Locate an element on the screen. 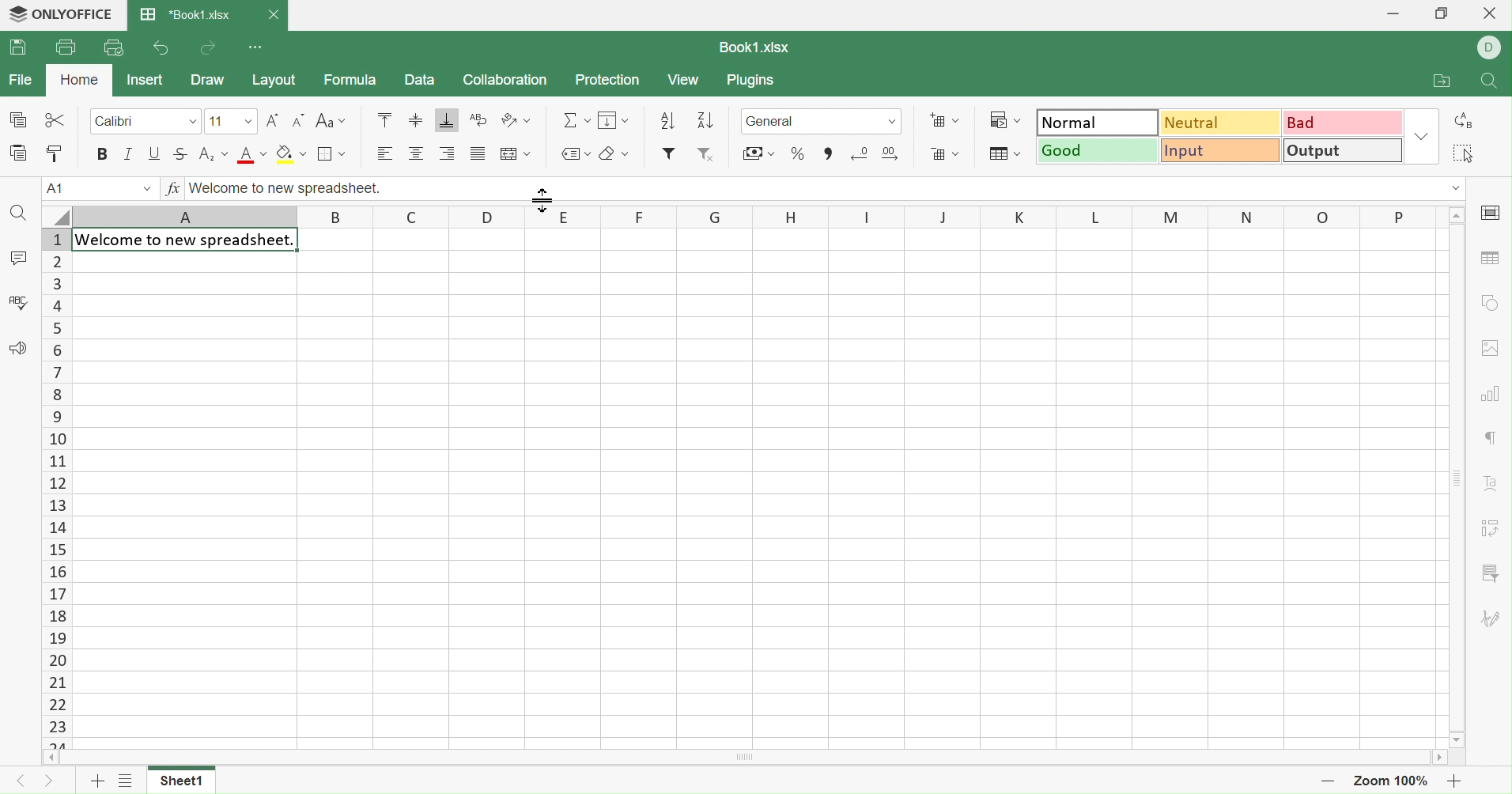  Conditional formatting is located at coordinates (1004, 119).